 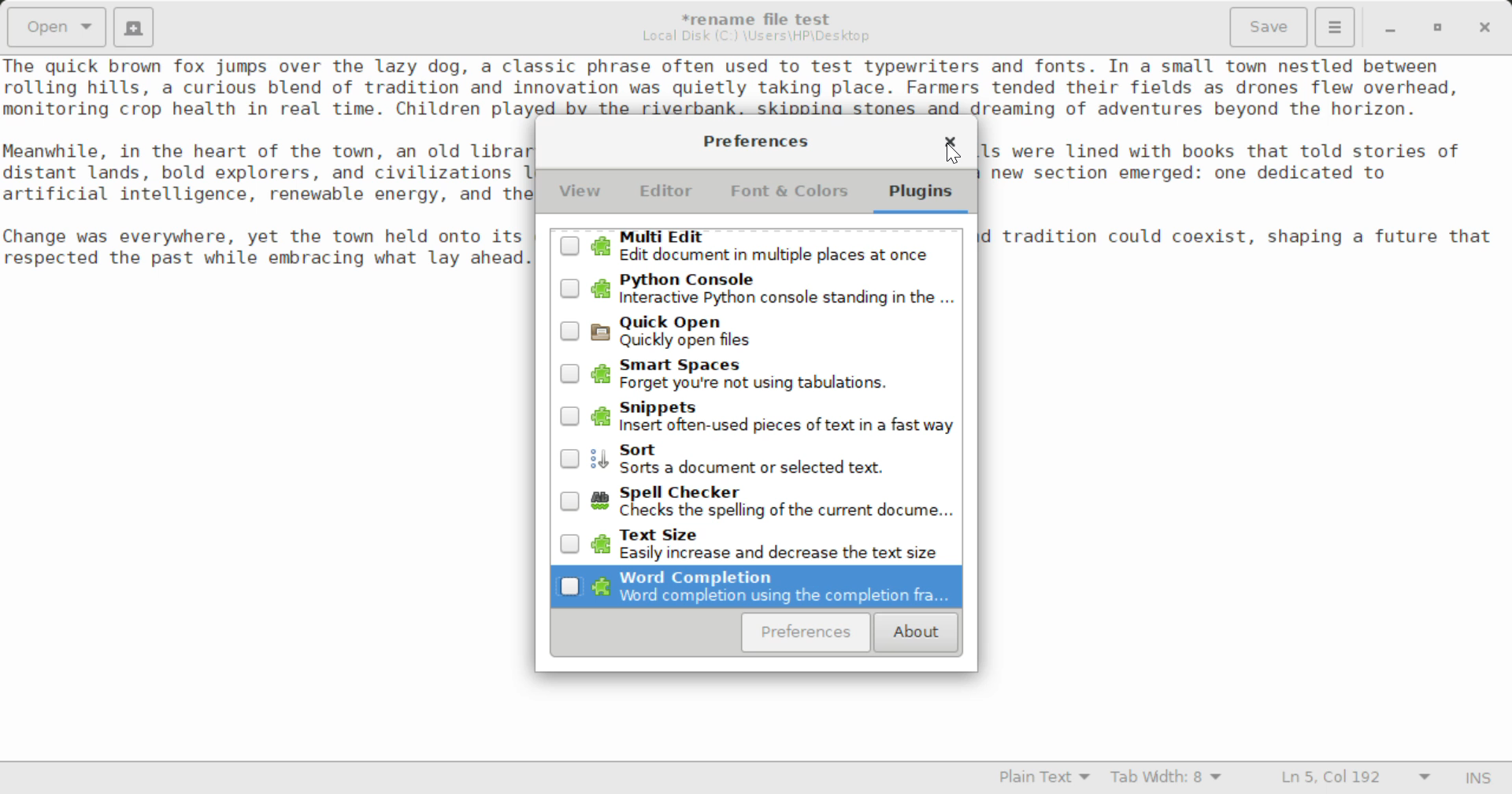 I want to click on Snippets Plugin Button Unselected, so click(x=757, y=419).